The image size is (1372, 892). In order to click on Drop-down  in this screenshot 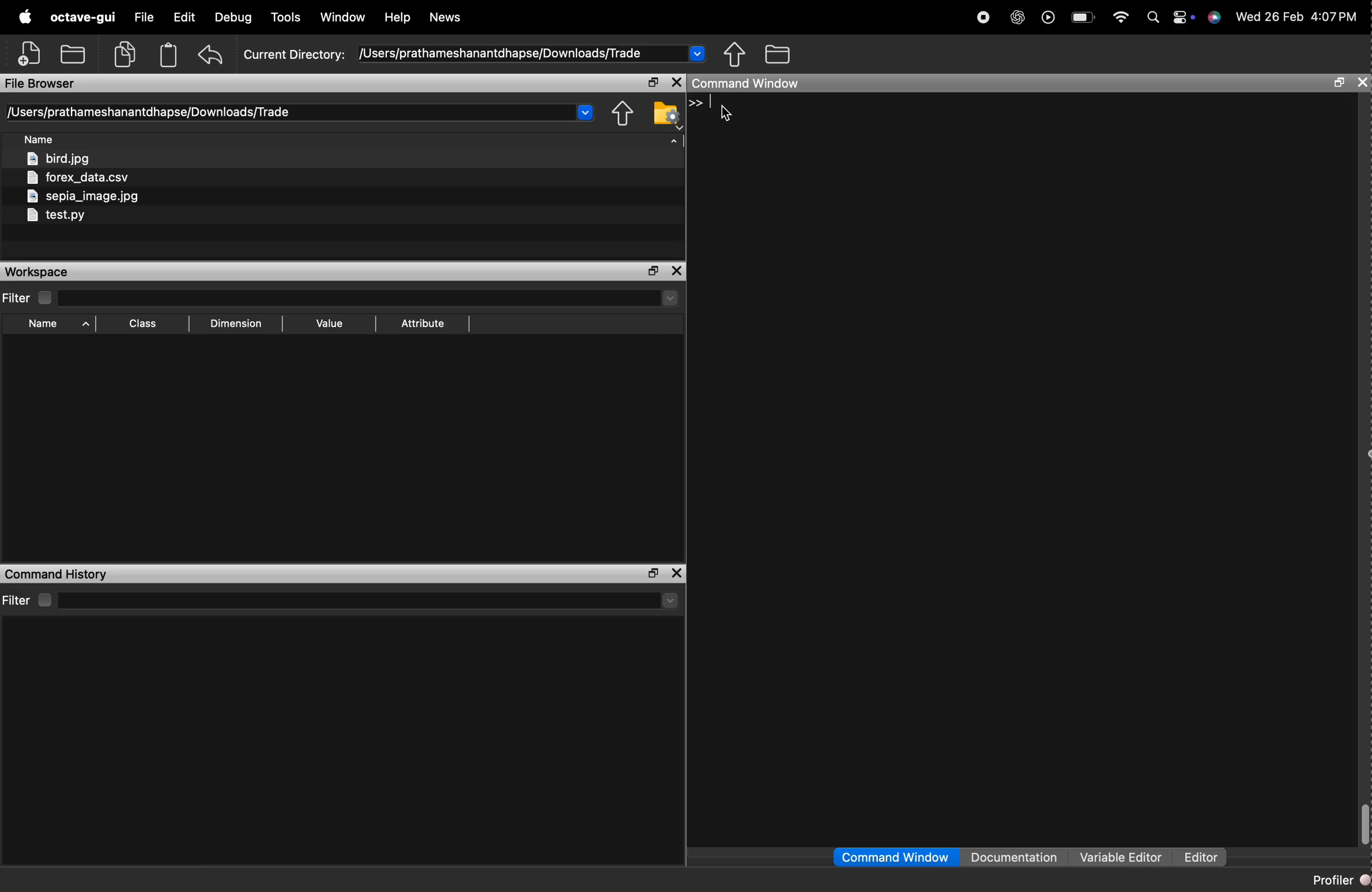, I will do `click(672, 601)`.